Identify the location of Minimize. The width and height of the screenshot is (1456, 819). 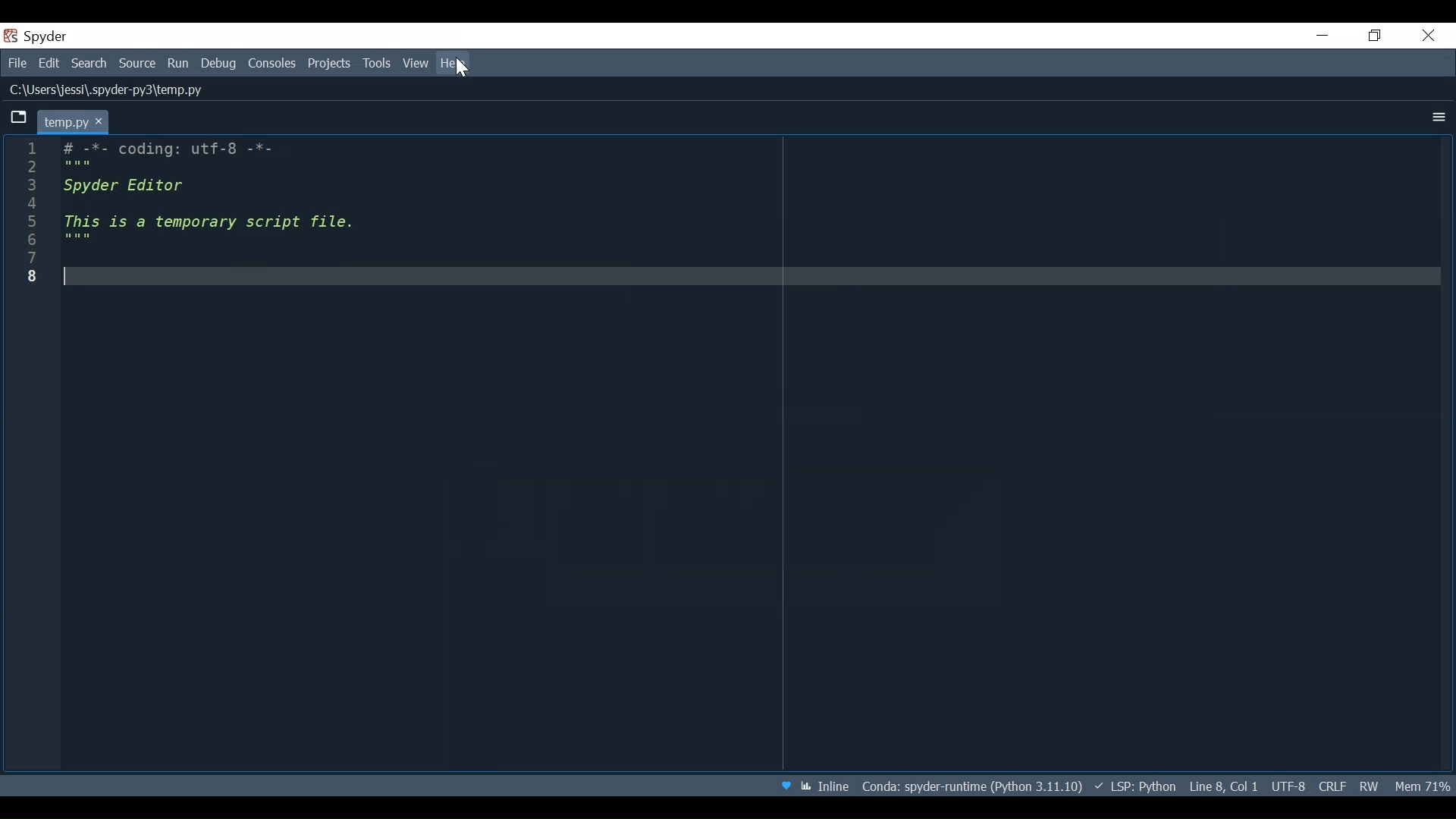
(1323, 36).